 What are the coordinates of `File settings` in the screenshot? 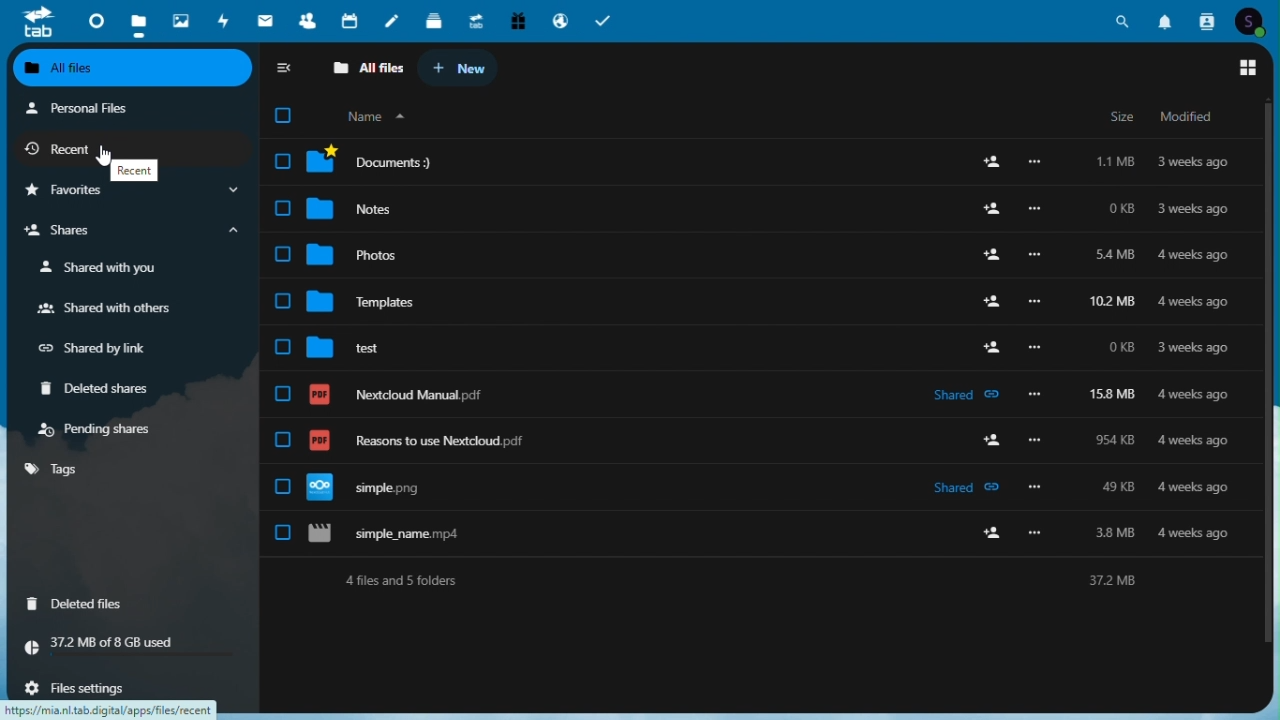 It's located at (71, 688).